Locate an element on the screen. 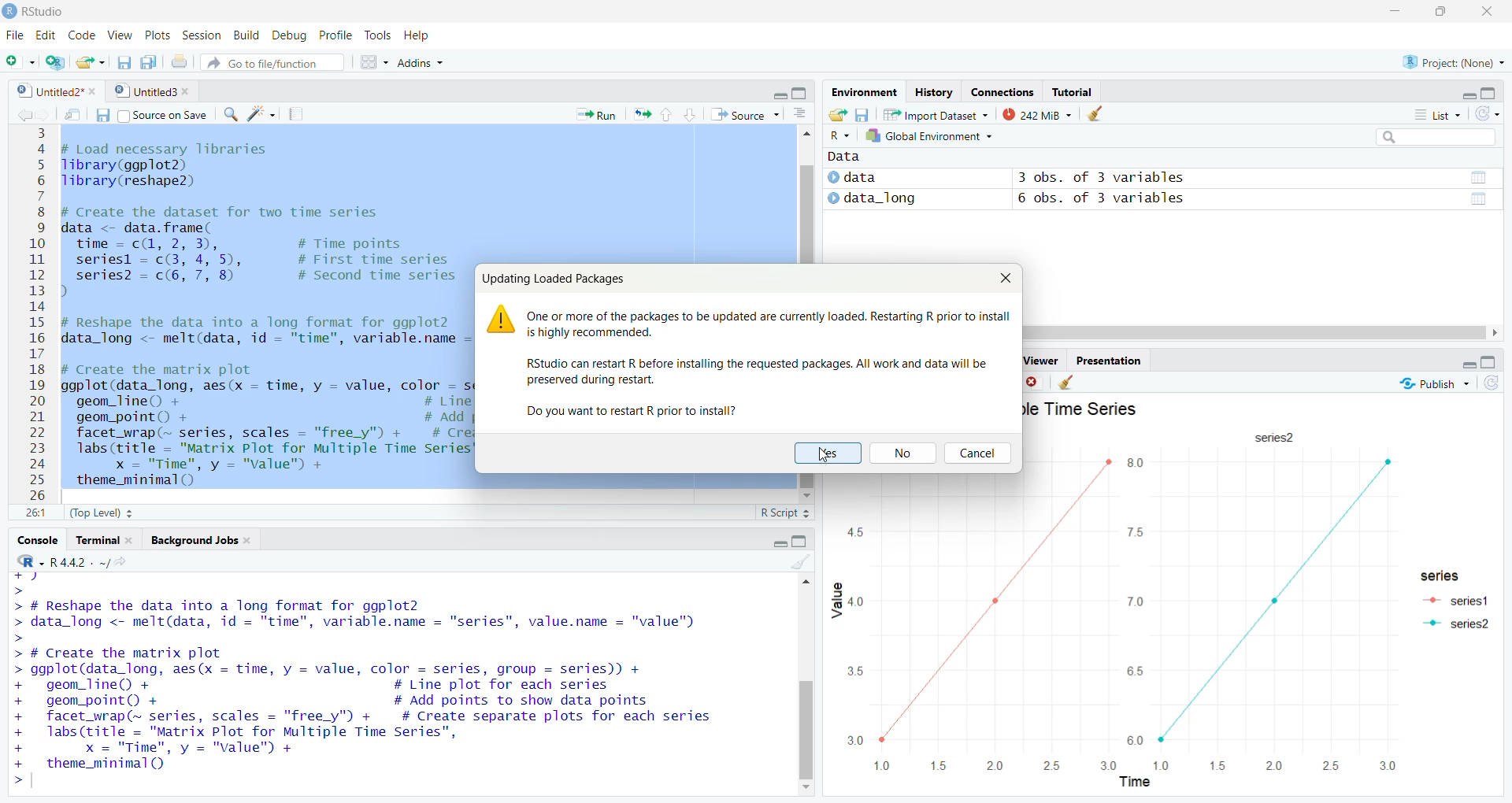 The image size is (1512, 803). Connections is located at coordinates (1000, 92).